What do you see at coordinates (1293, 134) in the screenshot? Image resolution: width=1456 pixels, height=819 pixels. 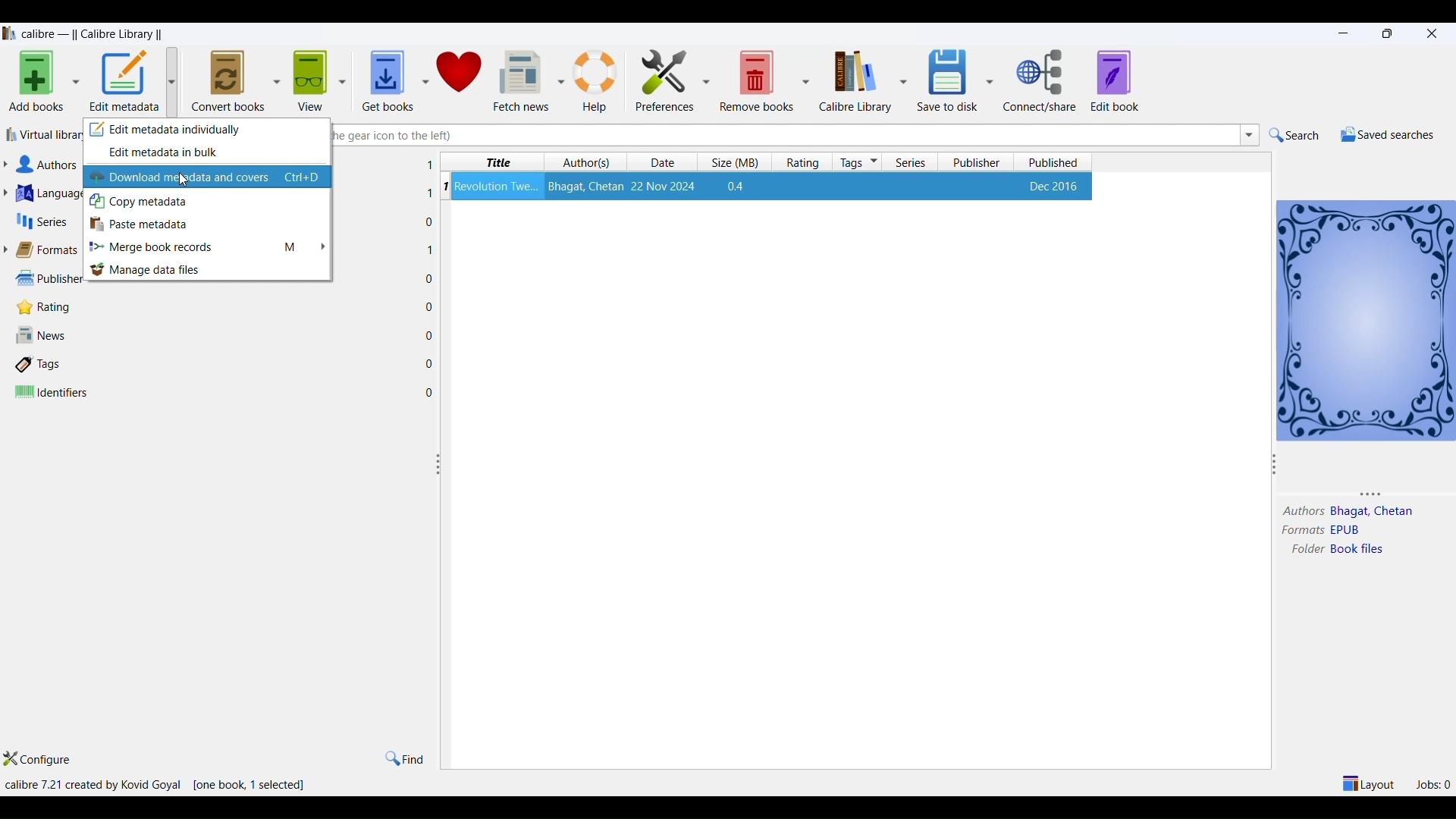 I see `search` at bounding box center [1293, 134].